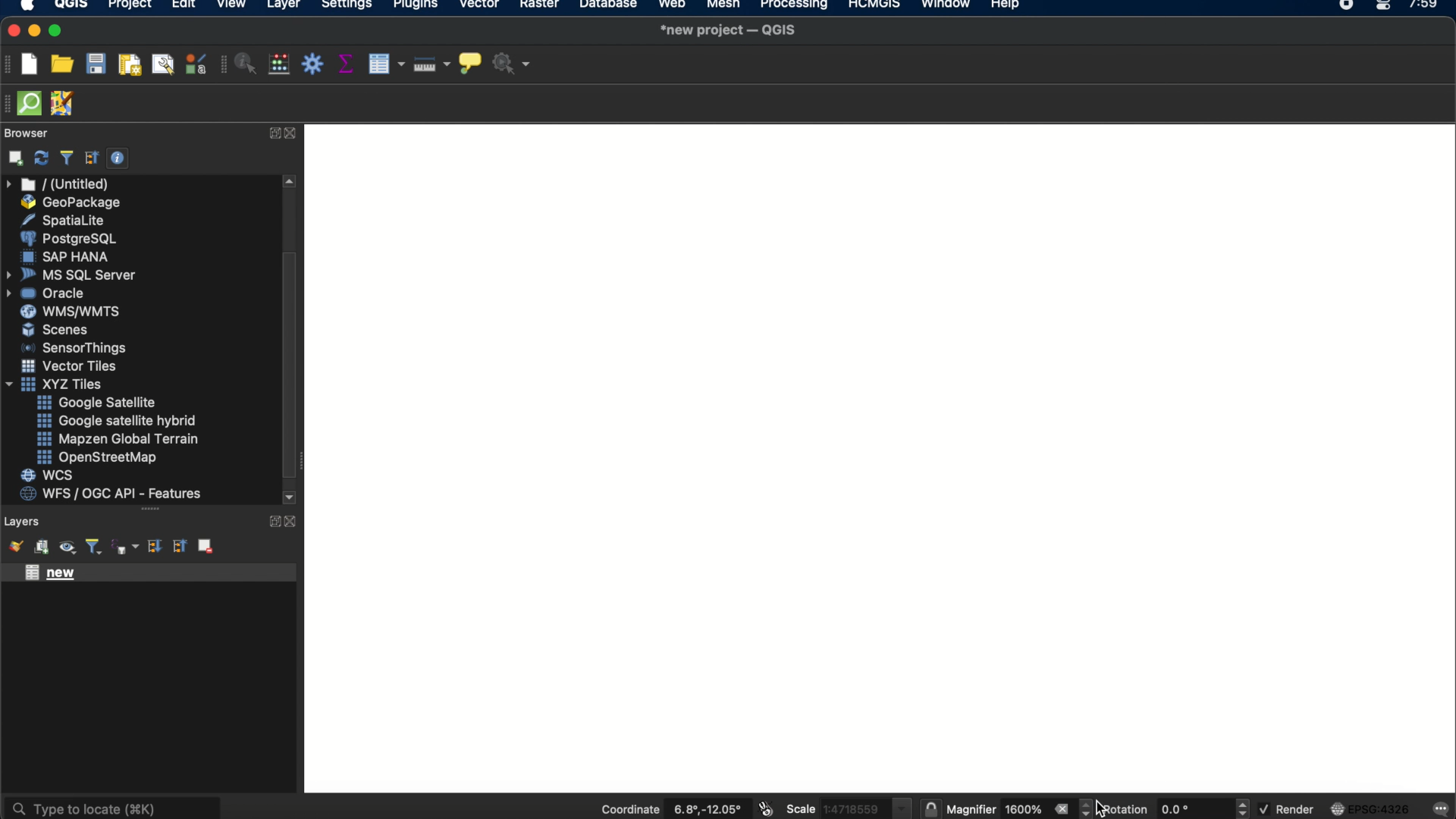 This screenshot has height=819, width=1456. Describe the element at coordinates (1382, 7) in the screenshot. I see `control center macOS` at that location.